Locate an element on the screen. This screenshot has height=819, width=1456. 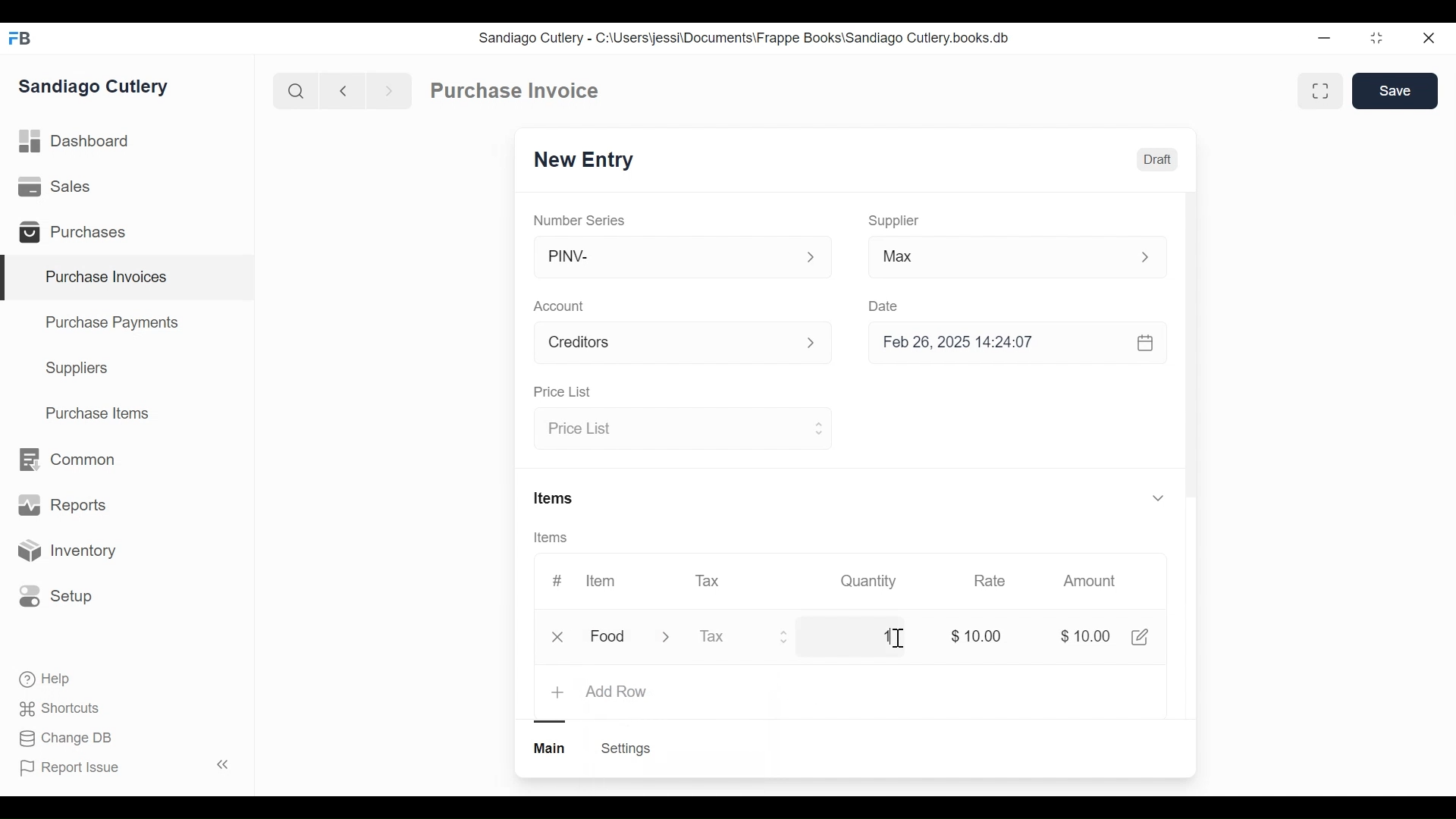
close is located at coordinates (561, 637).